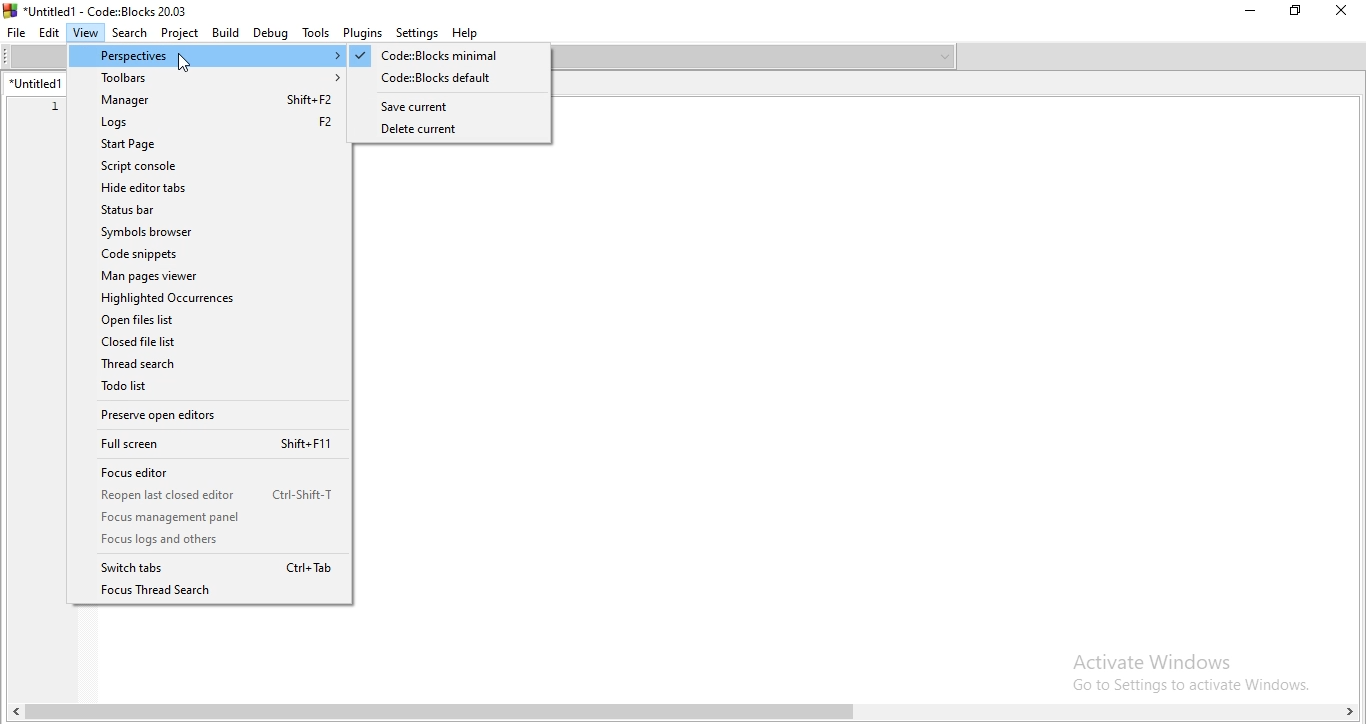 This screenshot has height=724, width=1366. I want to click on Preserve open editors, so click(210, 413).